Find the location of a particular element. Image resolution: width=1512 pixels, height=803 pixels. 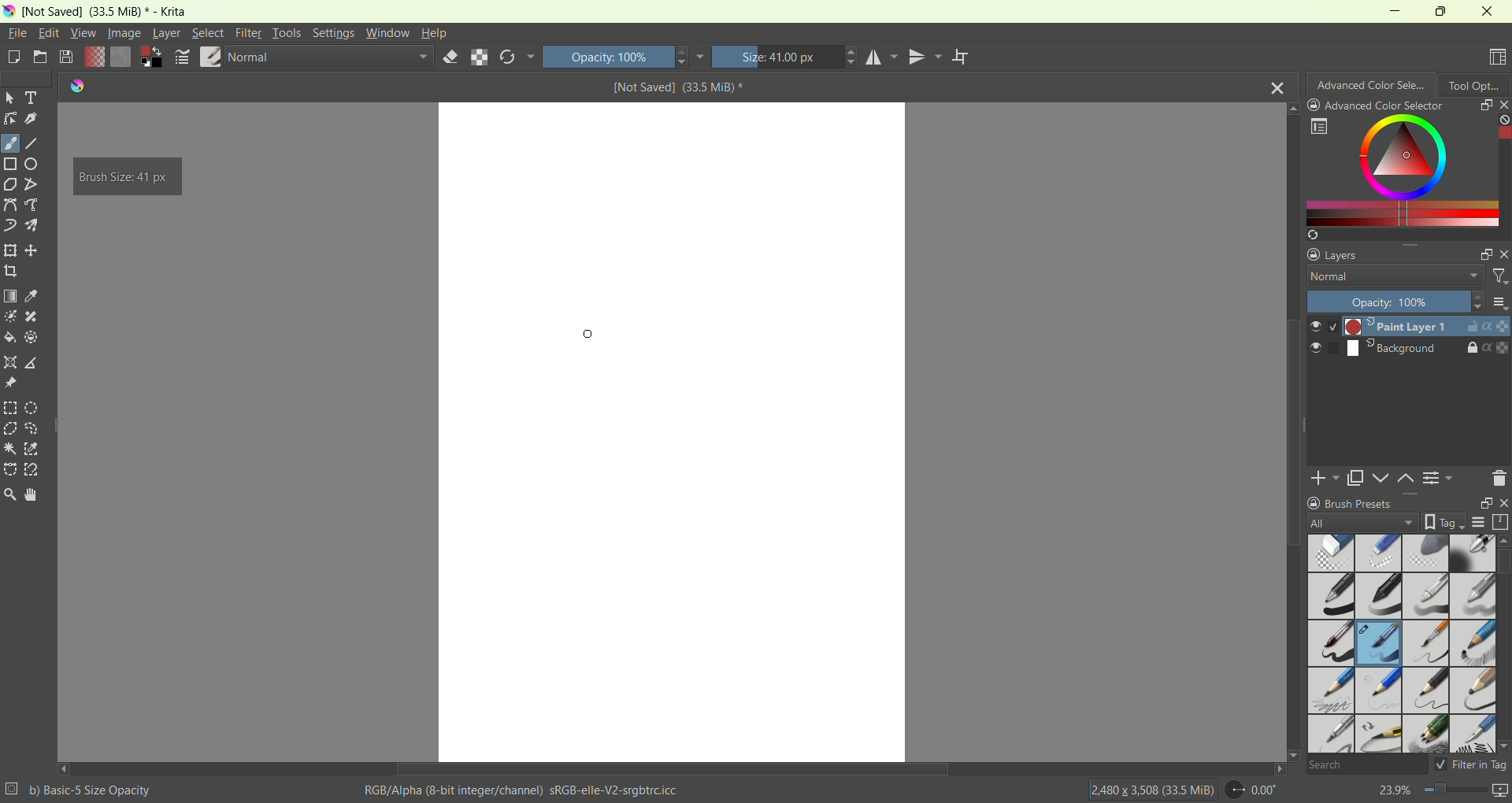

edit is located at coordinates (48, 32).